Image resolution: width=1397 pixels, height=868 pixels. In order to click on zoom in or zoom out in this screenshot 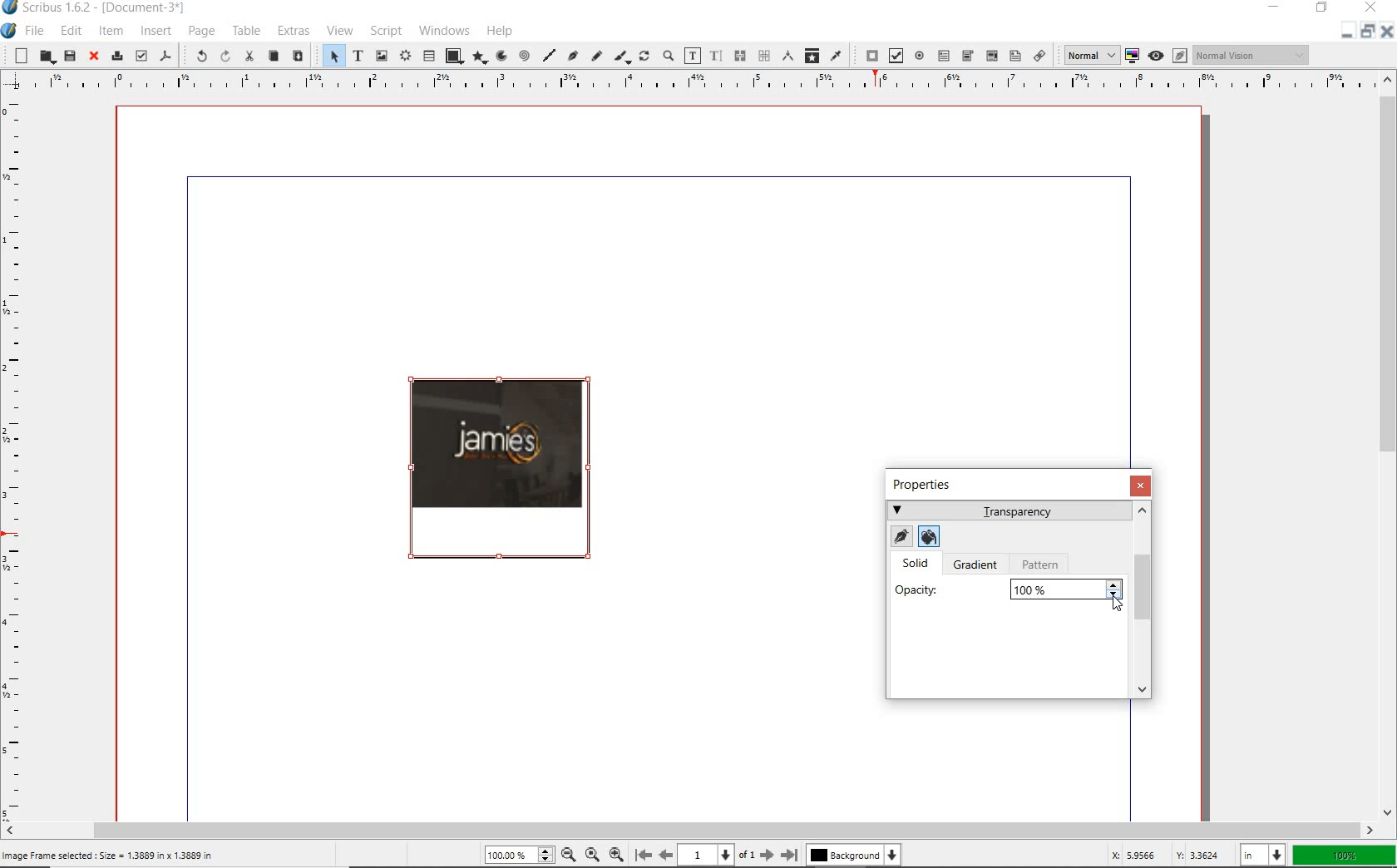, I will do `click(668, 55)`.